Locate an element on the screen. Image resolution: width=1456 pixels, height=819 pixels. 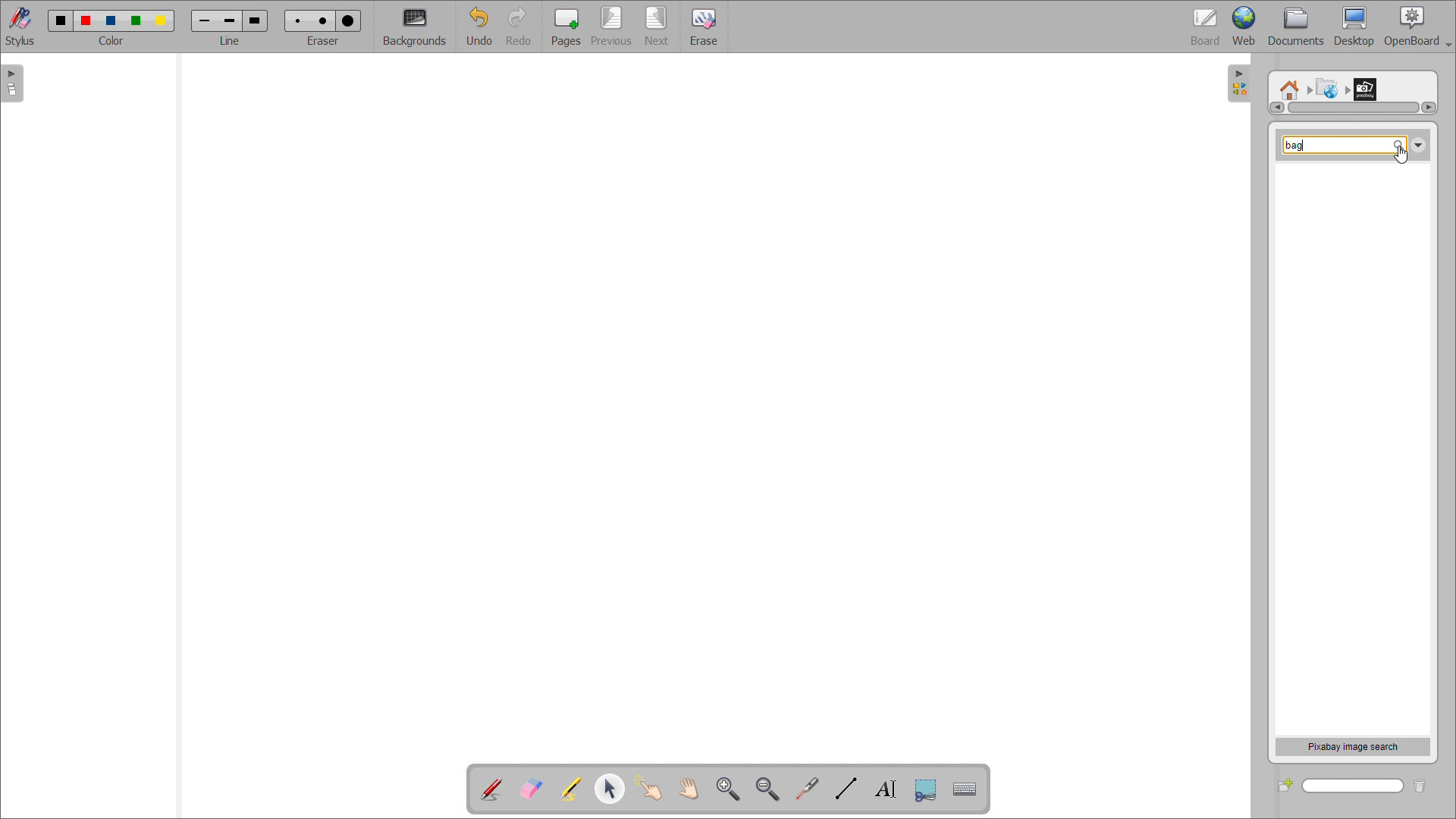
cursor is located at coordinates (1405, 154).